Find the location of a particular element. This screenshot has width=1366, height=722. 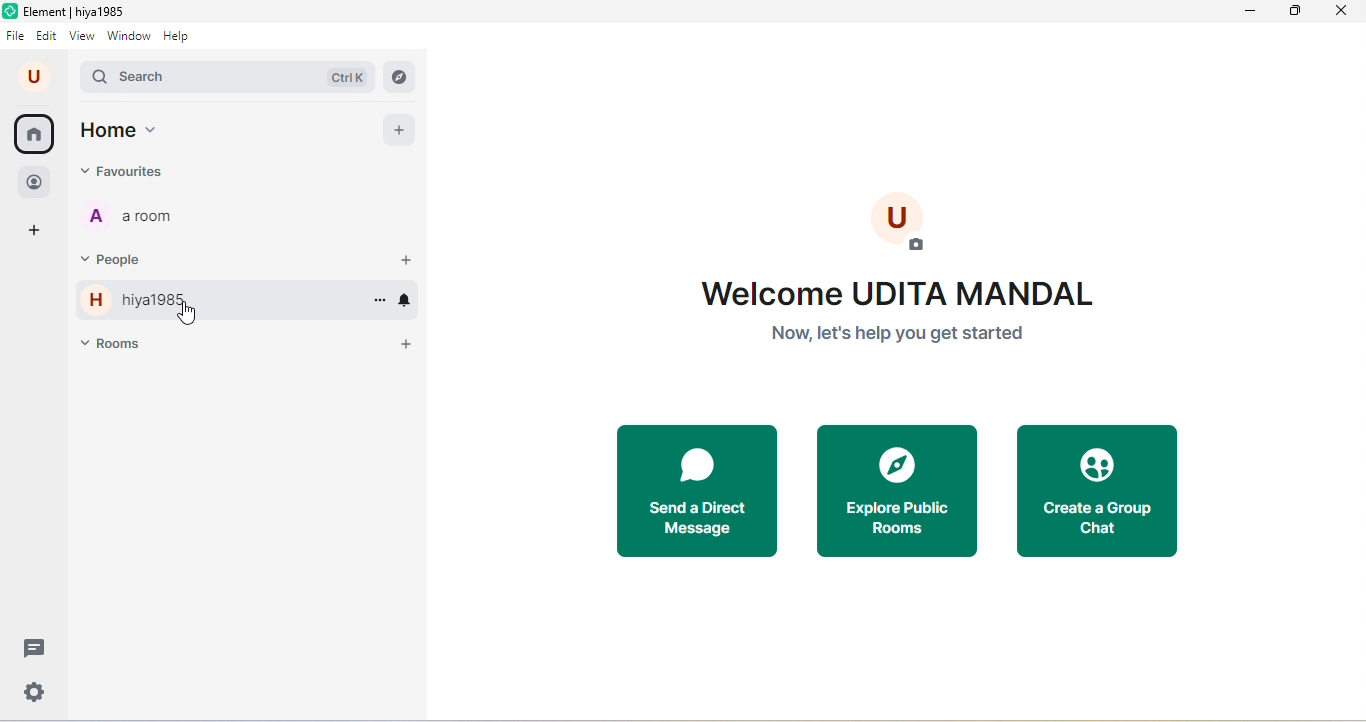

file is located at coordinates (15, 37).